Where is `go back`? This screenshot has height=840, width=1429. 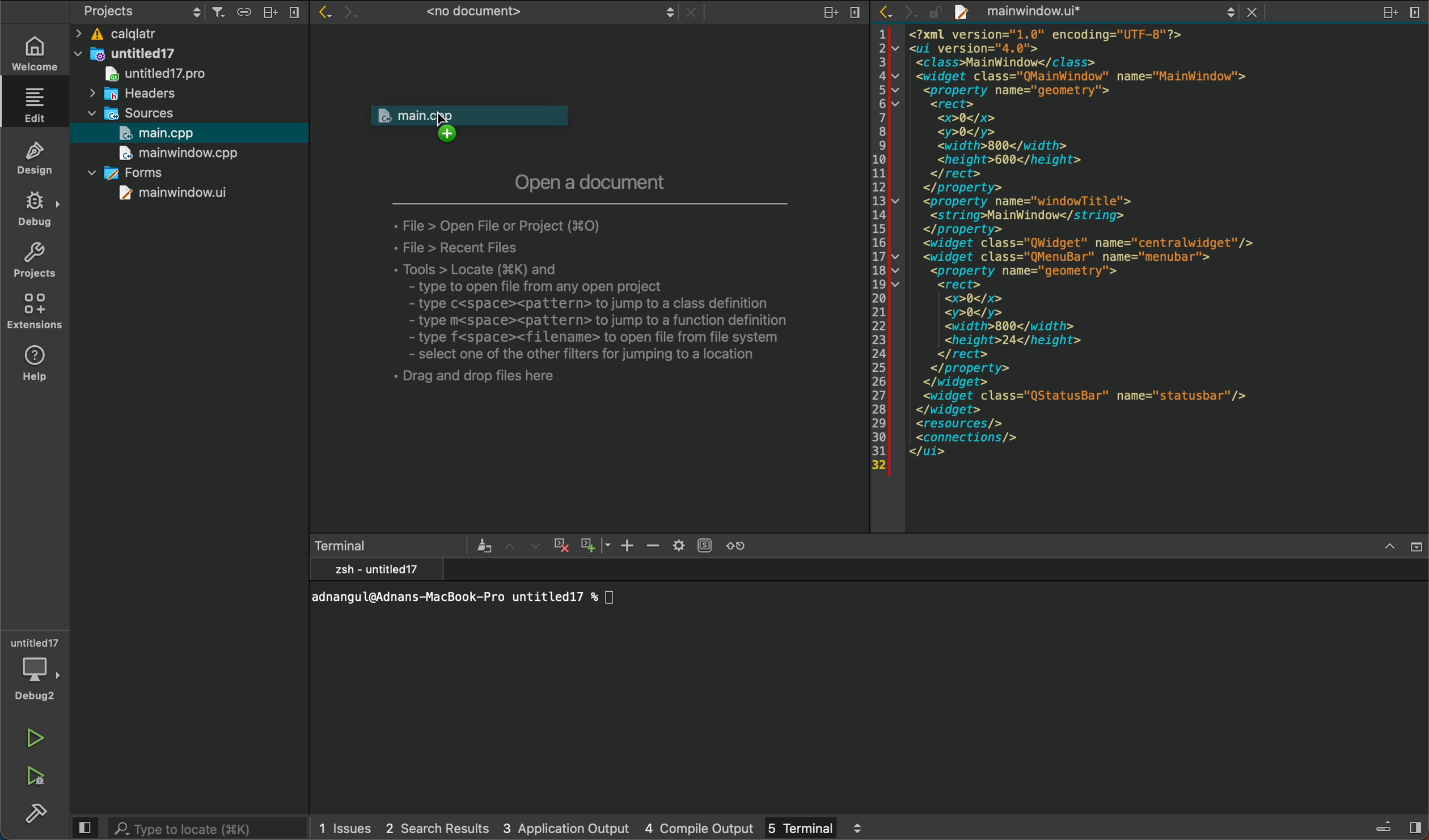
go back is located at coordinates (324, 14).